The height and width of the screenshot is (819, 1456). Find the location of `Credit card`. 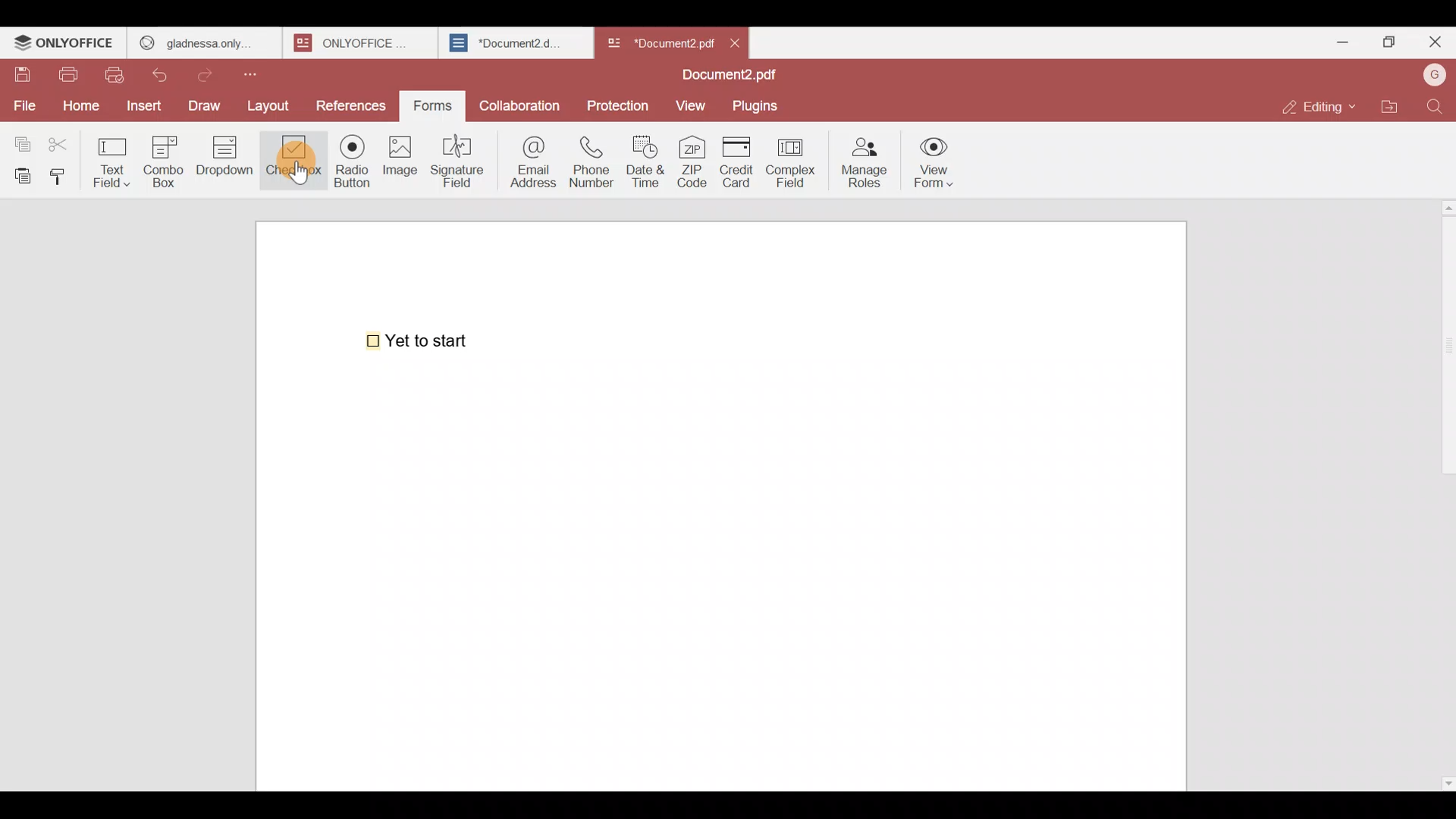

Credit card is located at coordinates (733, 163).